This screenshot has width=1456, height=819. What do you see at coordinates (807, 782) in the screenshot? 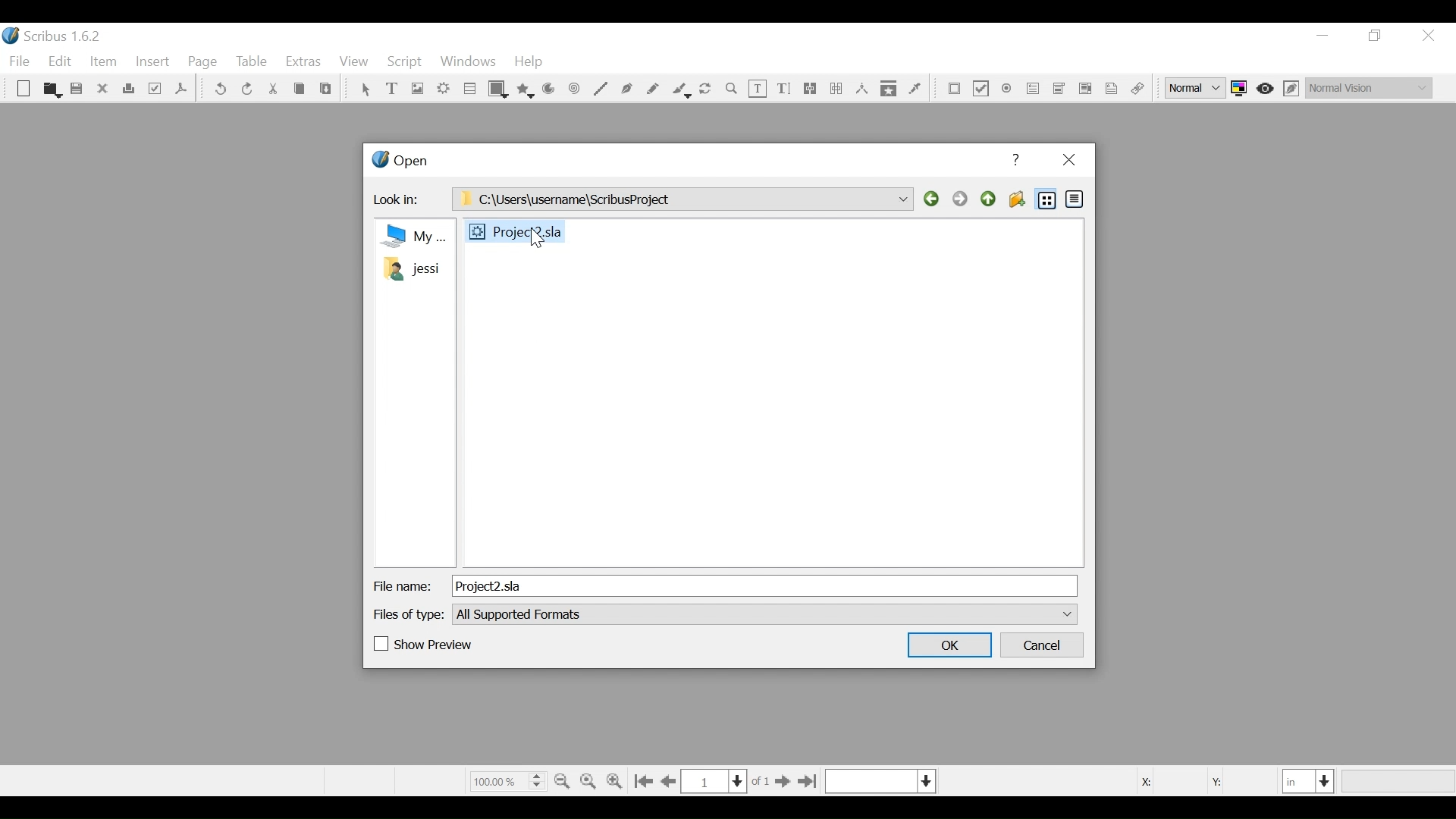
I see `Go to the last page` at bounding box center [807, 782].